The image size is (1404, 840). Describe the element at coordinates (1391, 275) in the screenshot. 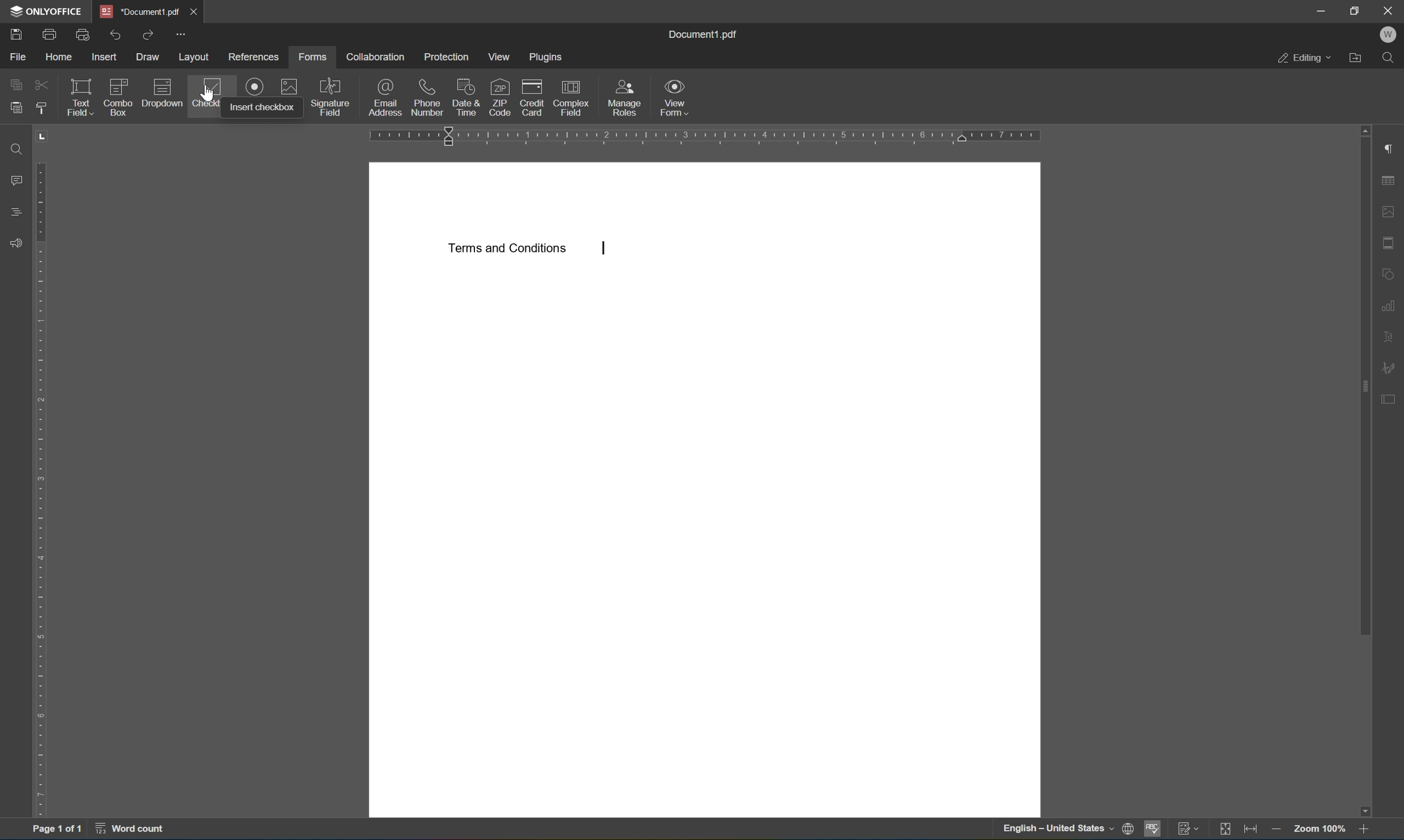

I see `shape settings` at that location.